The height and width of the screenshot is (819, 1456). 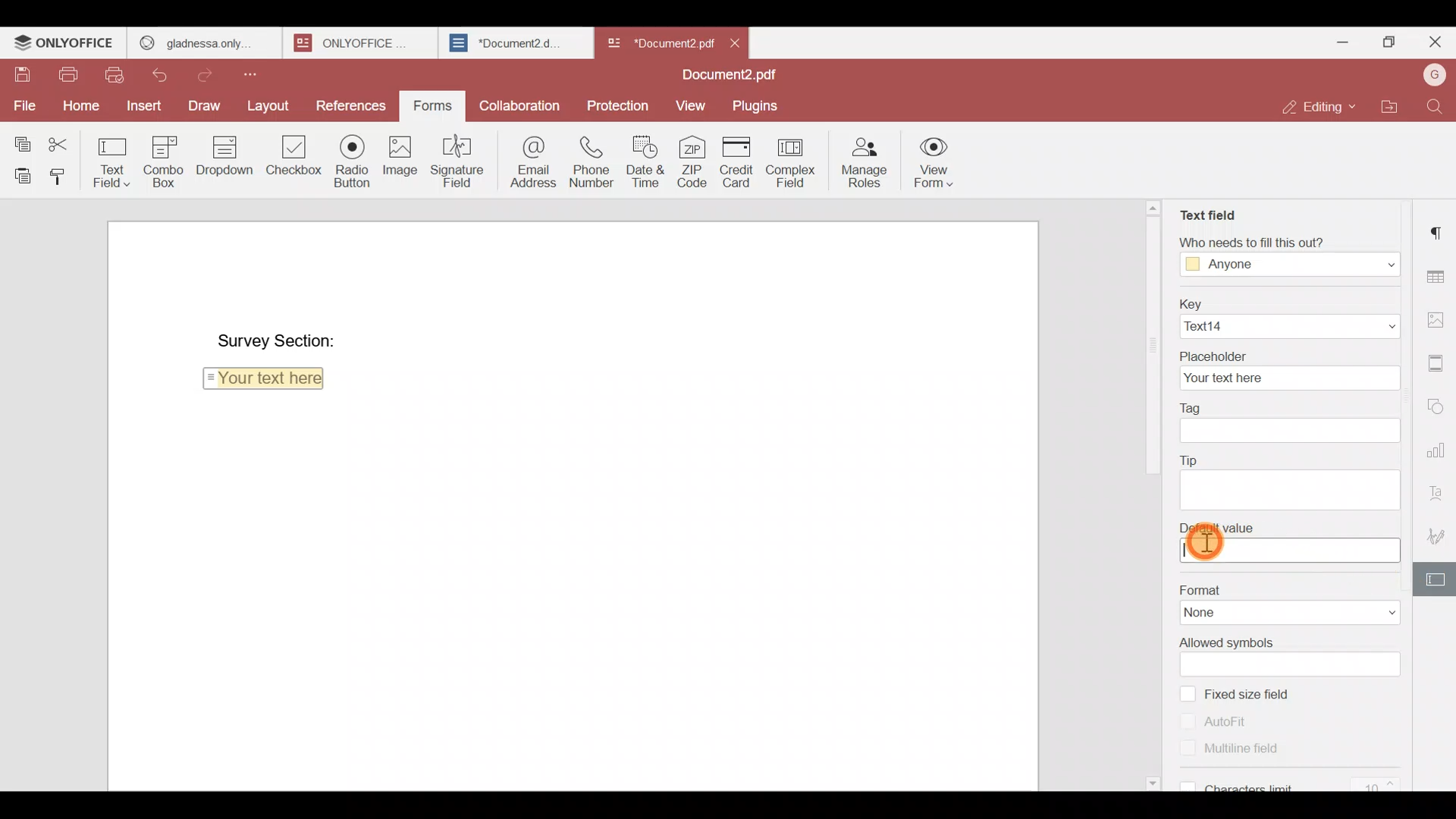 I want to click on Manage roles, so click(x=864, y=160).